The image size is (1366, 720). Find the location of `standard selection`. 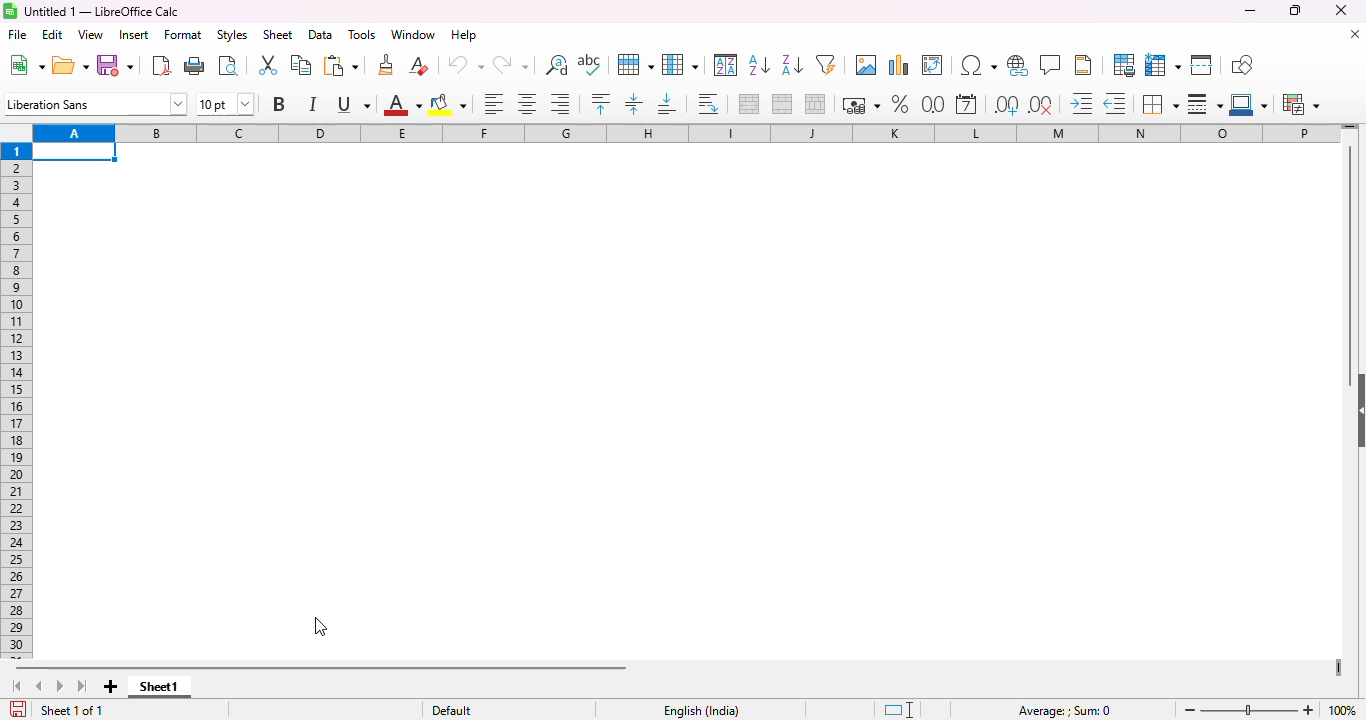

standard selection is located at coordinates (900, 709).